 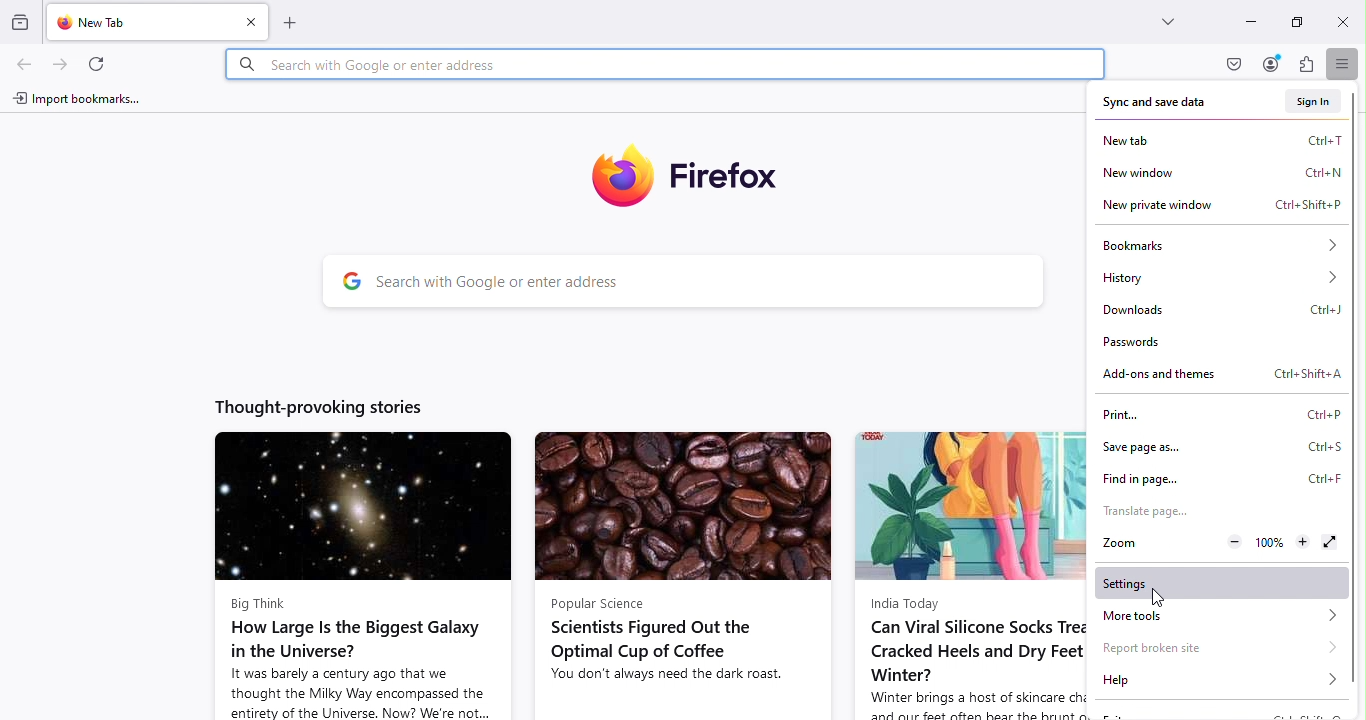 I want to click on Firefox icon, so click(x=691, y=173).